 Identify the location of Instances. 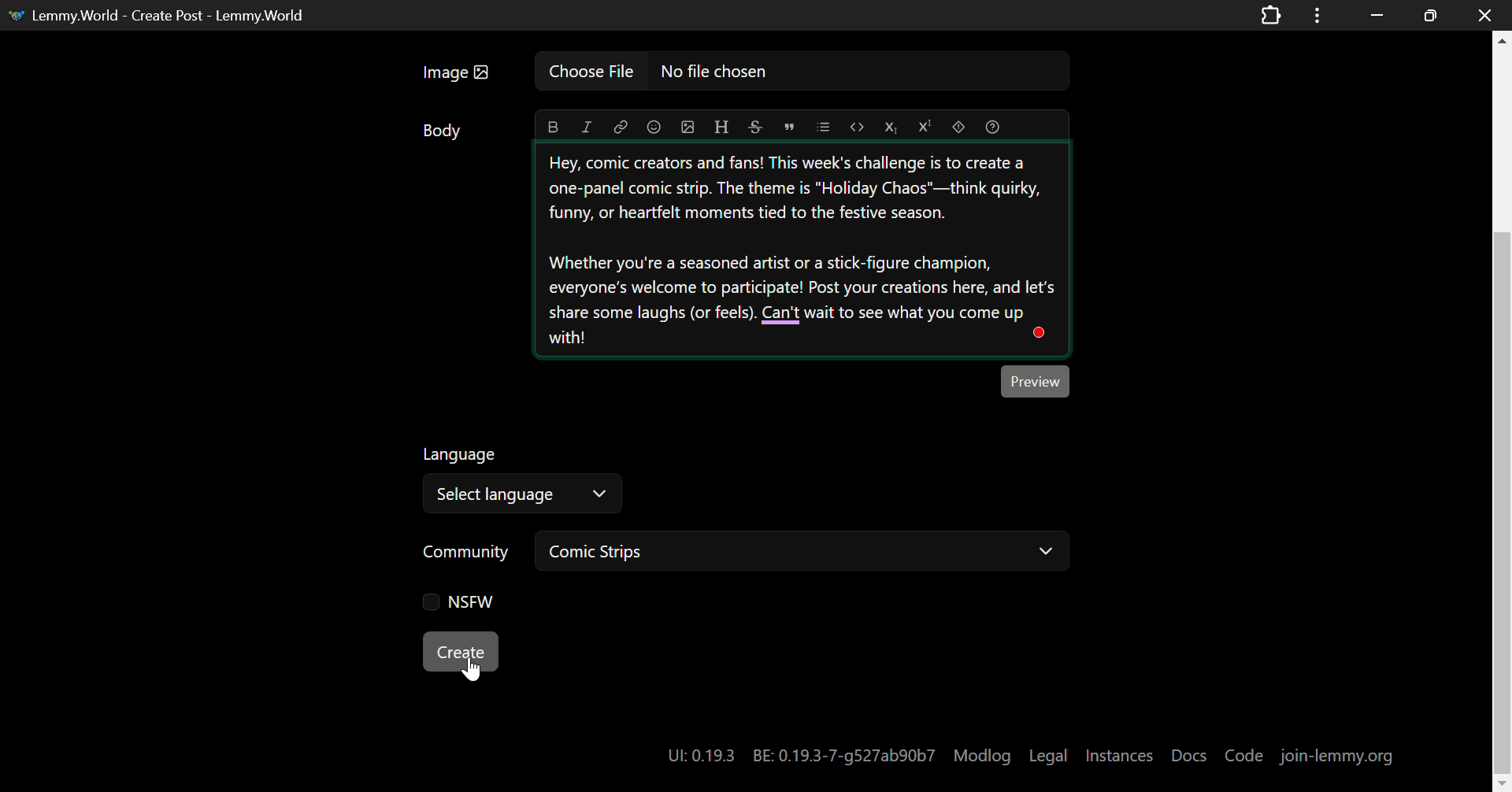
(1121, 755).